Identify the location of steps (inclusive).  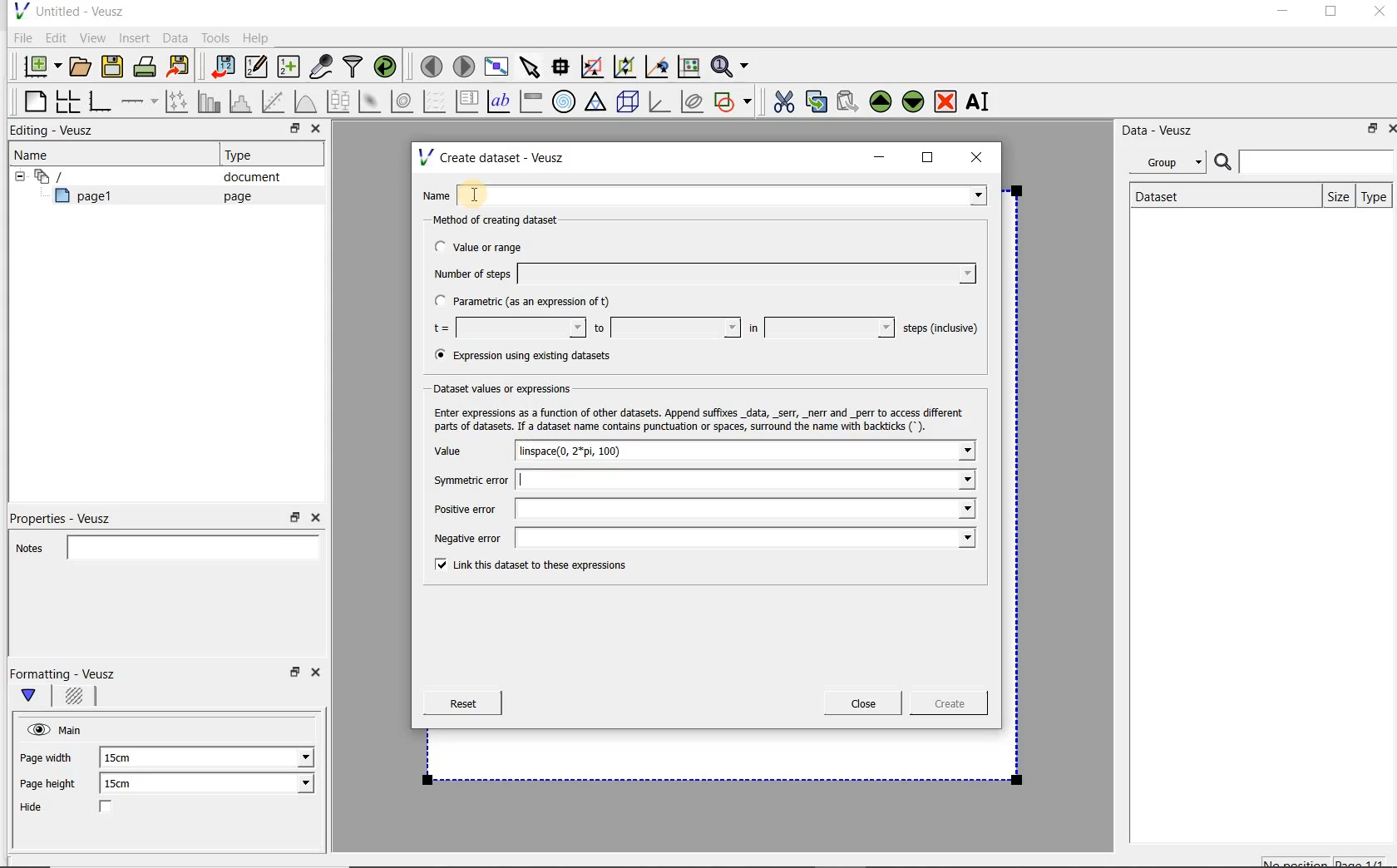
(941, 329).